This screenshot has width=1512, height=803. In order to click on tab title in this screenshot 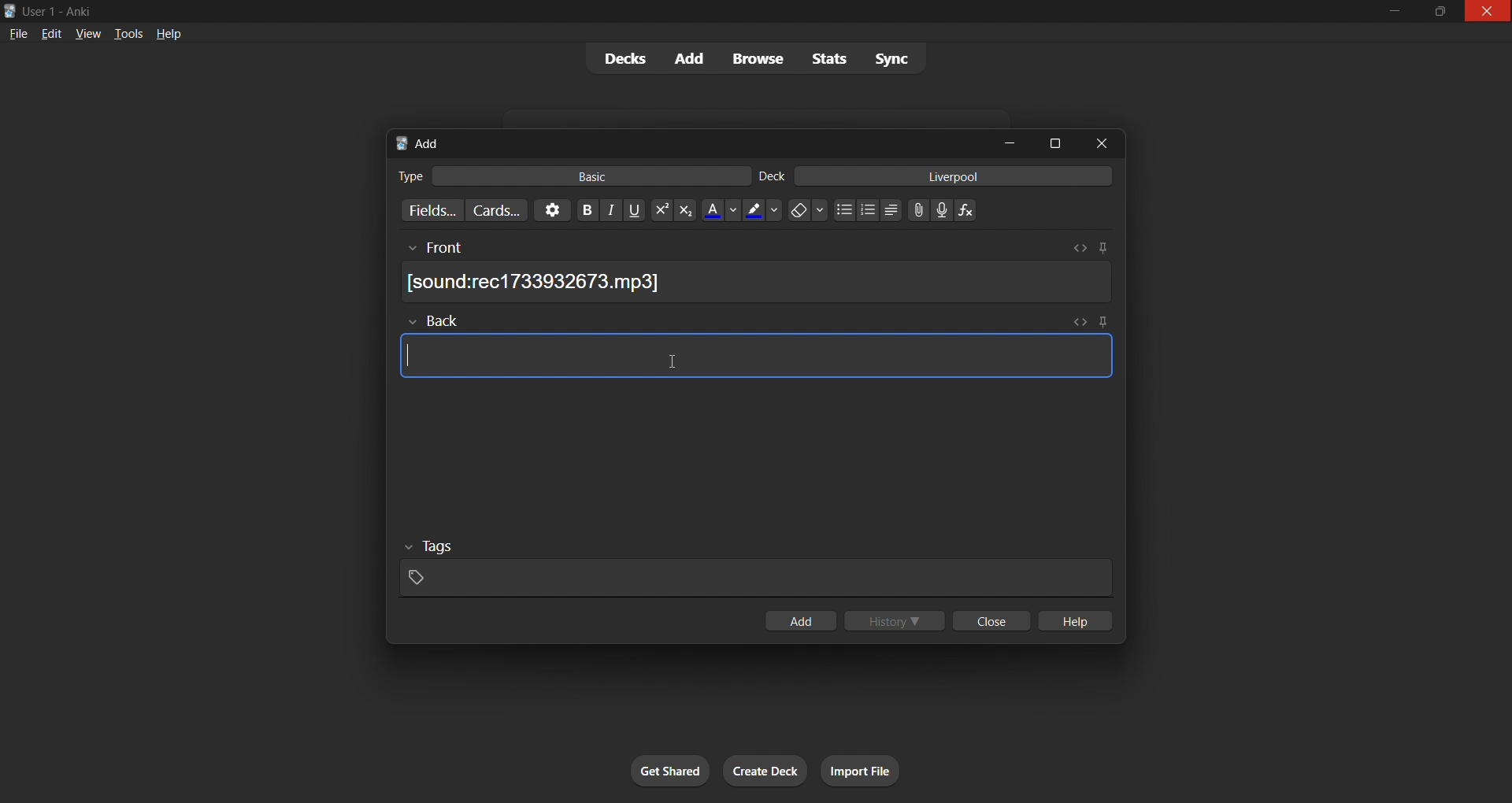, I will do `click(686, 141)`.